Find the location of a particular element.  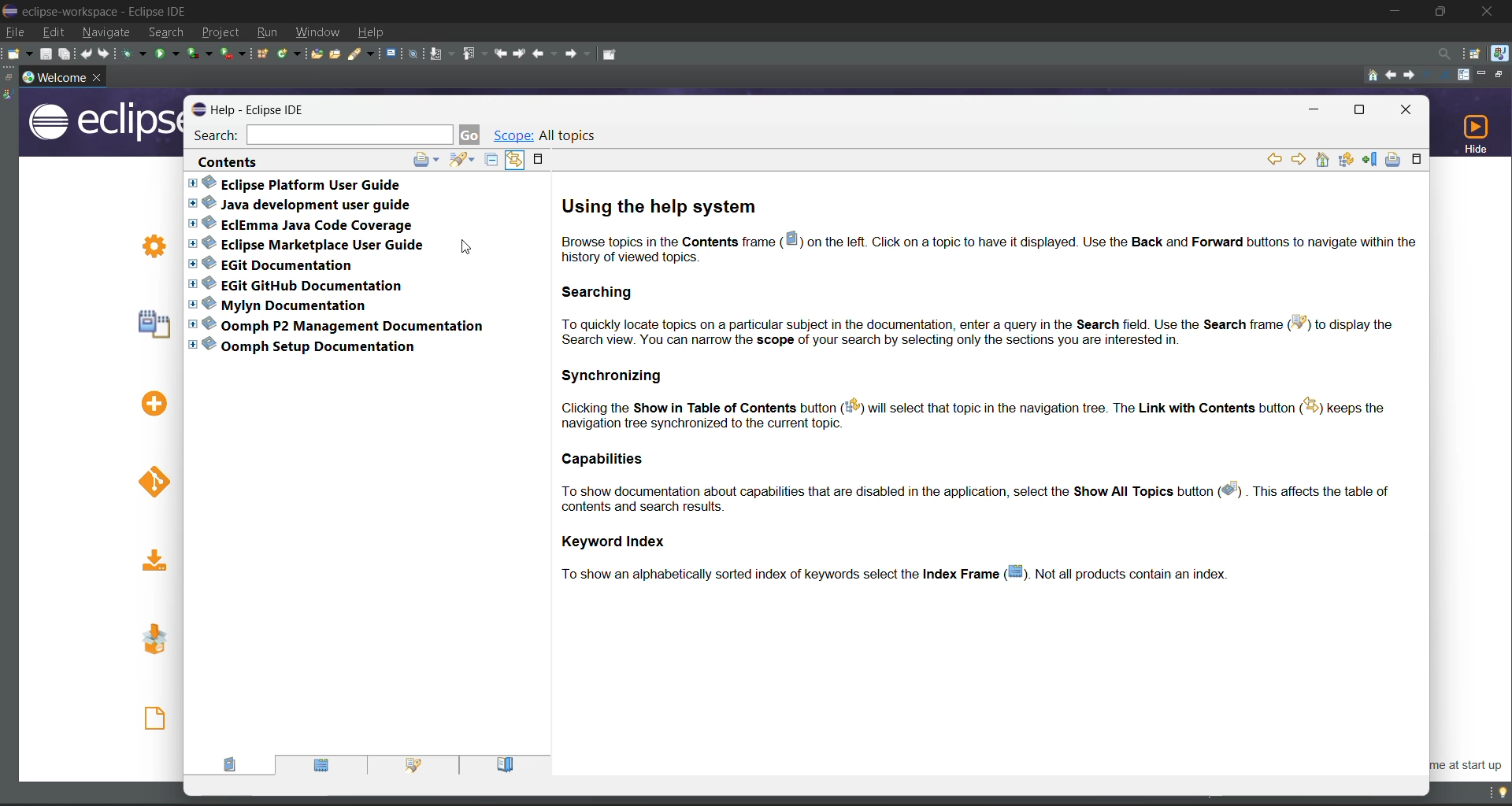

maximize is located at coordinates (541, 160).